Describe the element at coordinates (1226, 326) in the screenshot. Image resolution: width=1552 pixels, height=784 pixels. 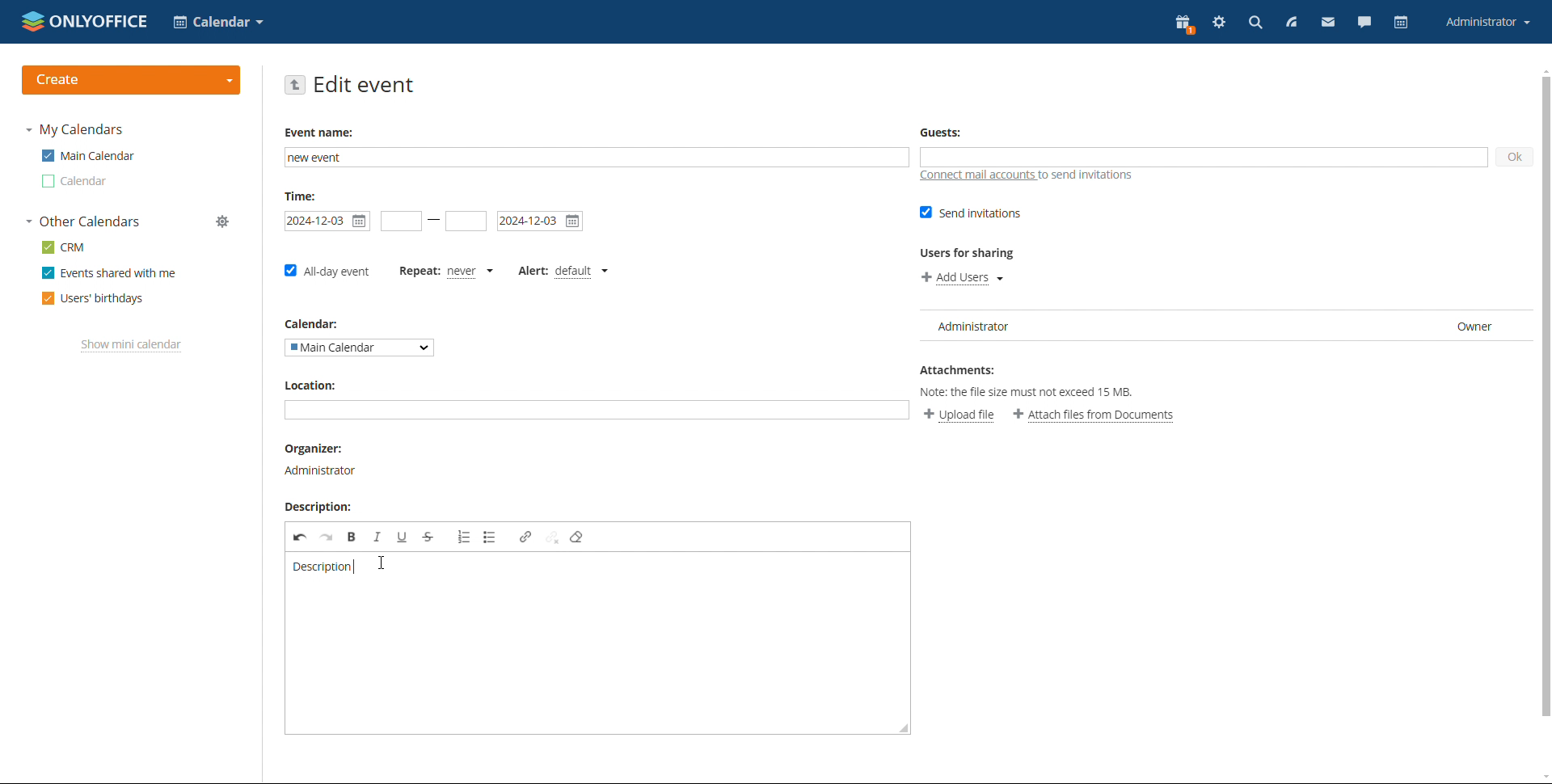
I see `list of users` at that location.